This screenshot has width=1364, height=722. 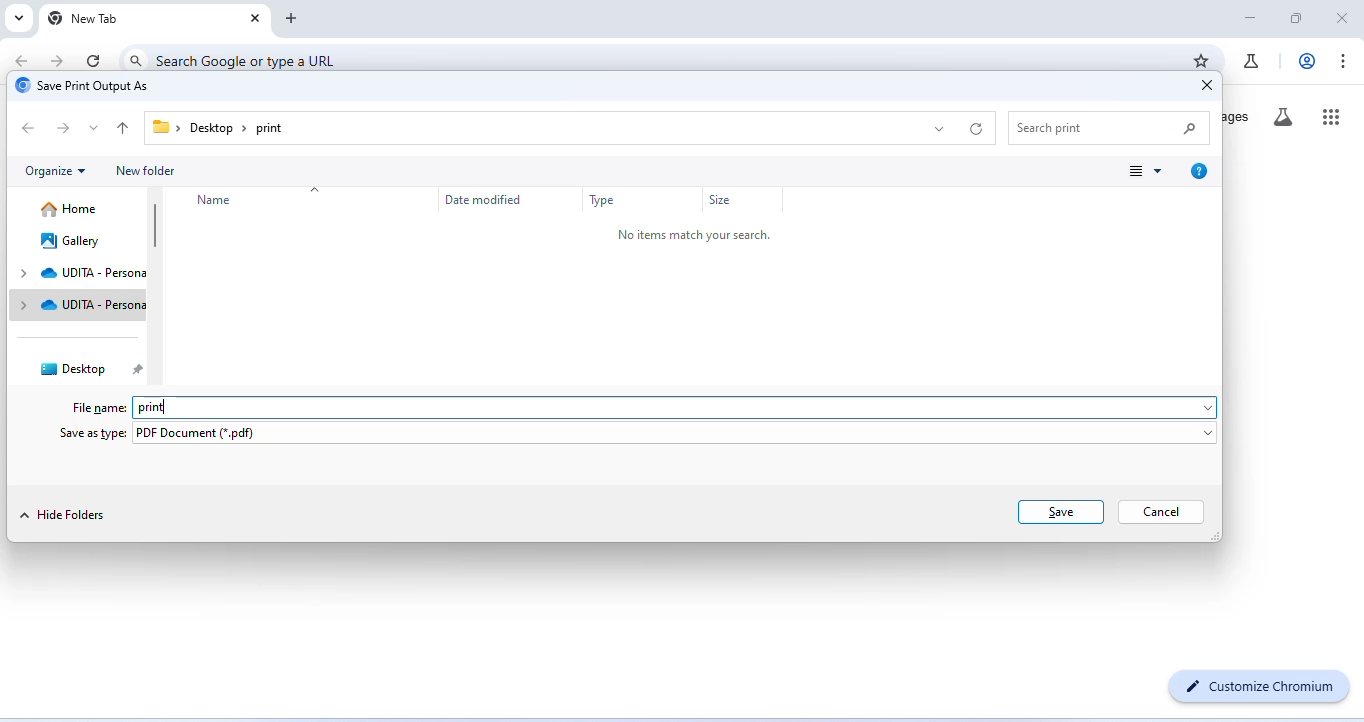 I want to click on drop down, so click(x=316, y=186).